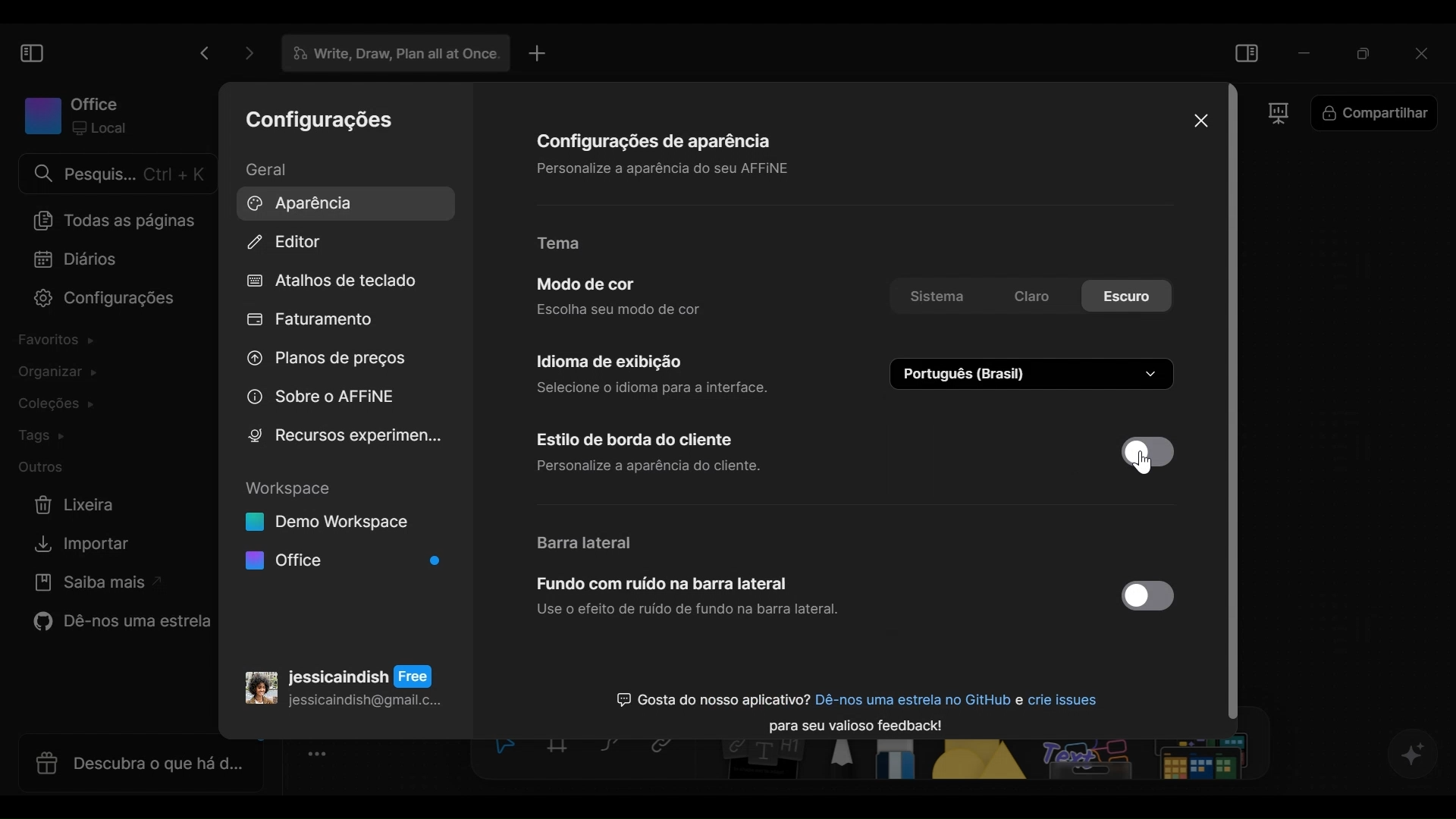 The width and height of the screenshot is (1456, 819). I want to click on Show/Hide Sidebar, so click(30, 52).